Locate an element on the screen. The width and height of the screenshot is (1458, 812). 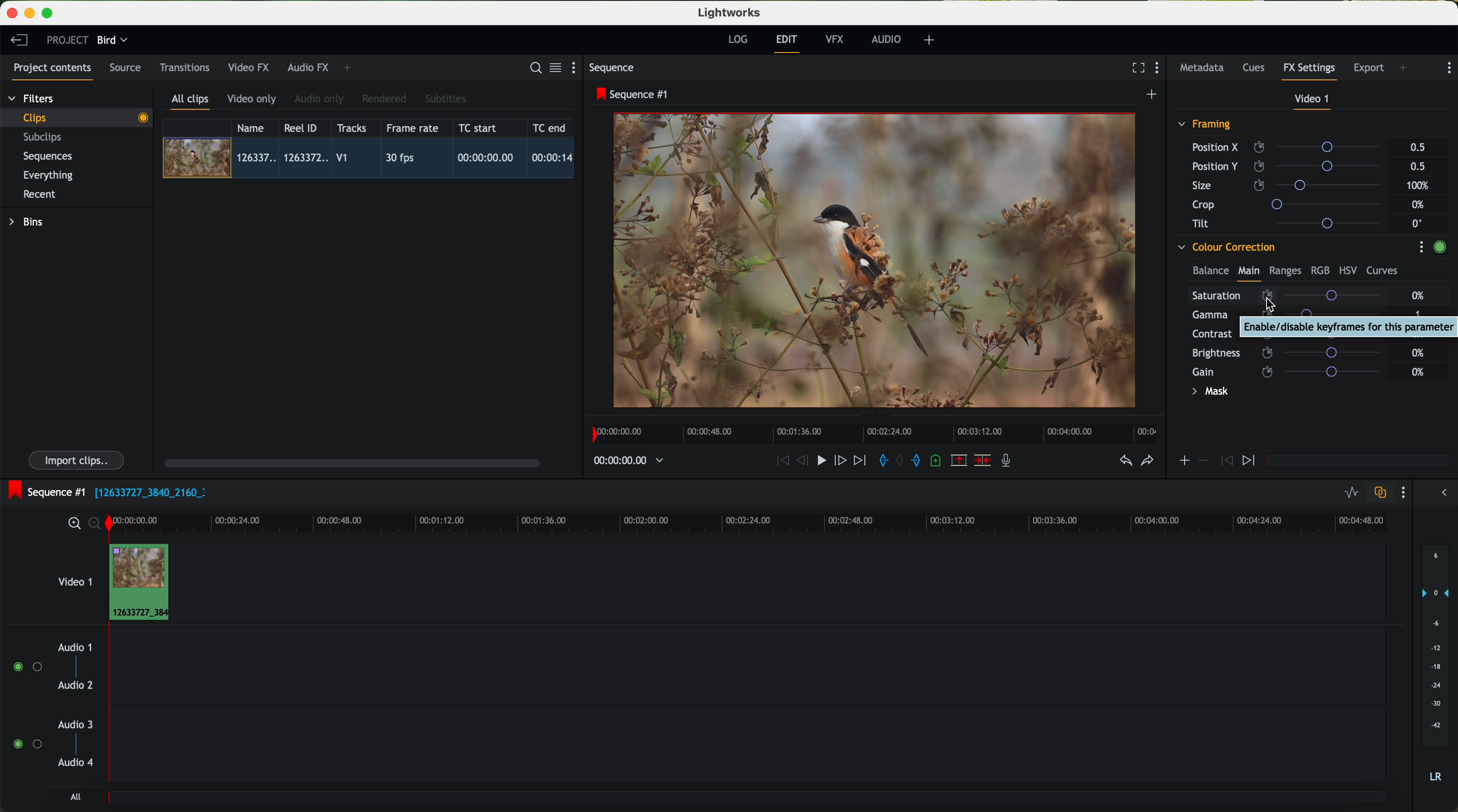
metadata is located at coordinates (1204, 68).